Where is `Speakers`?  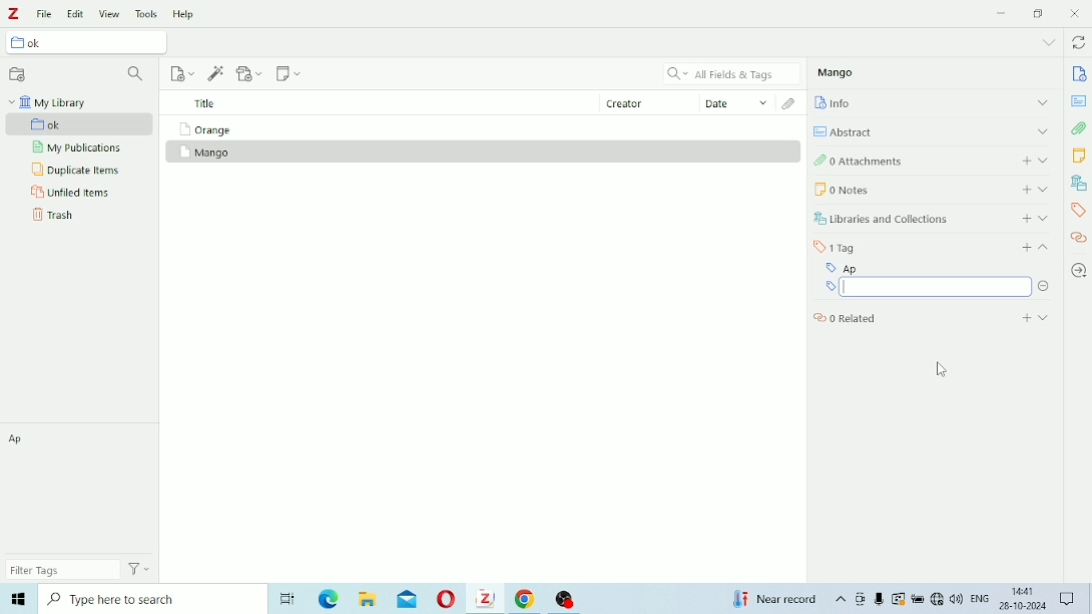 Speakers is located at coordinates (957, 599).